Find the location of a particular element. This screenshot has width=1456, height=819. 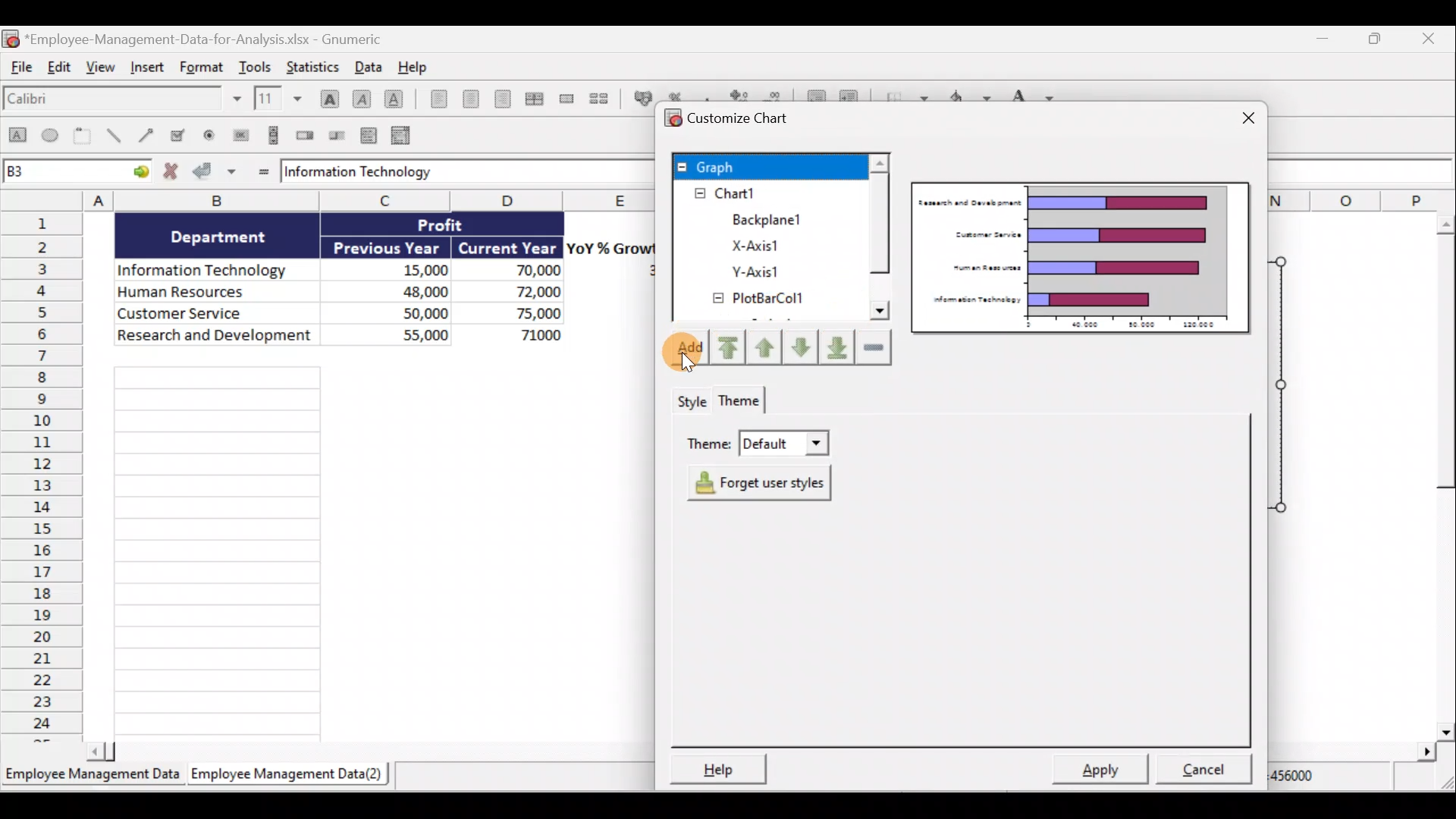

Sheet 1 is located at coordinates (93, 777).